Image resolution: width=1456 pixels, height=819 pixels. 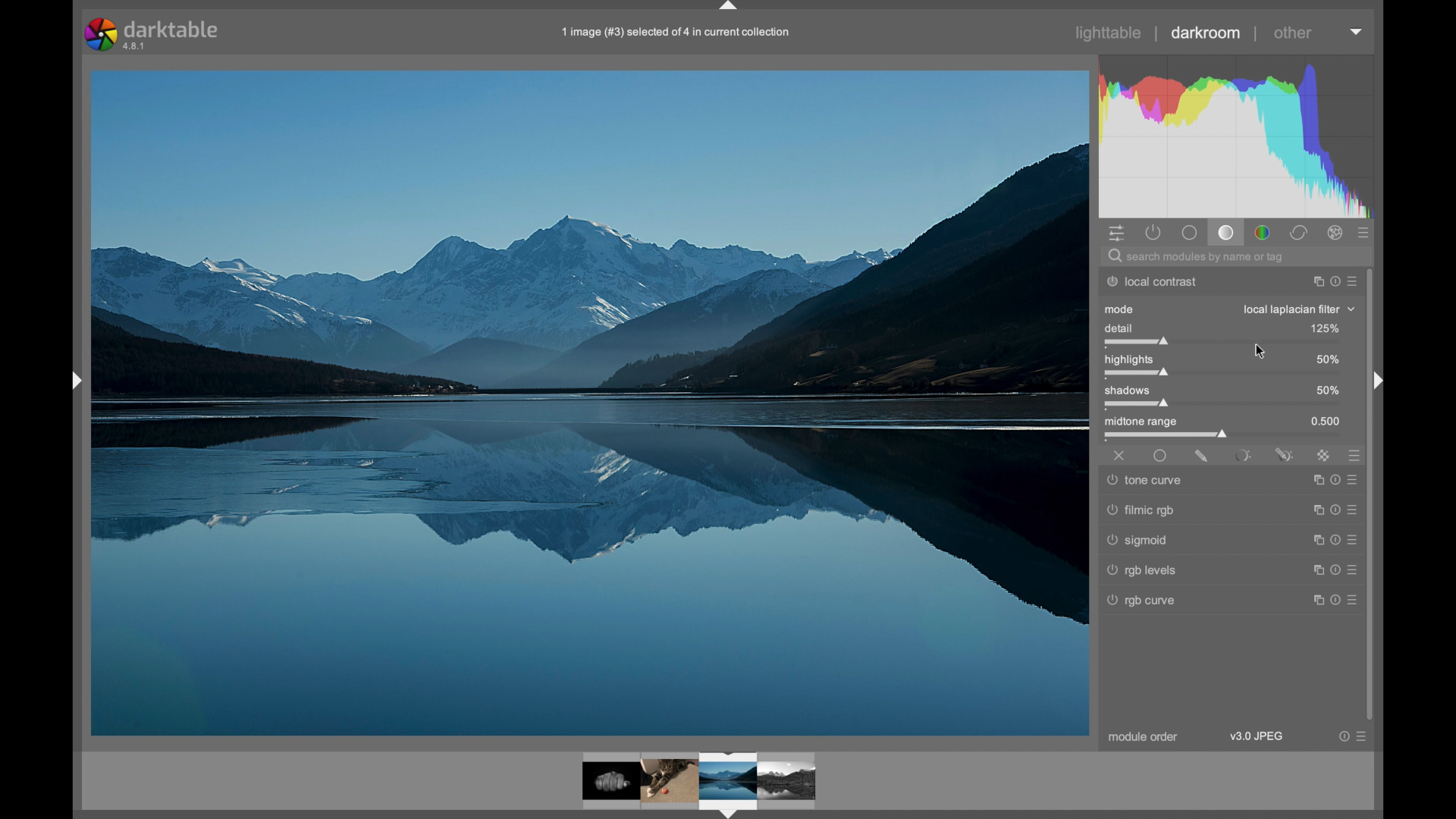 What do you see at coordinates (1354, 736) in the screenshot?
I see `more options` at bounding box center [1354, 736].